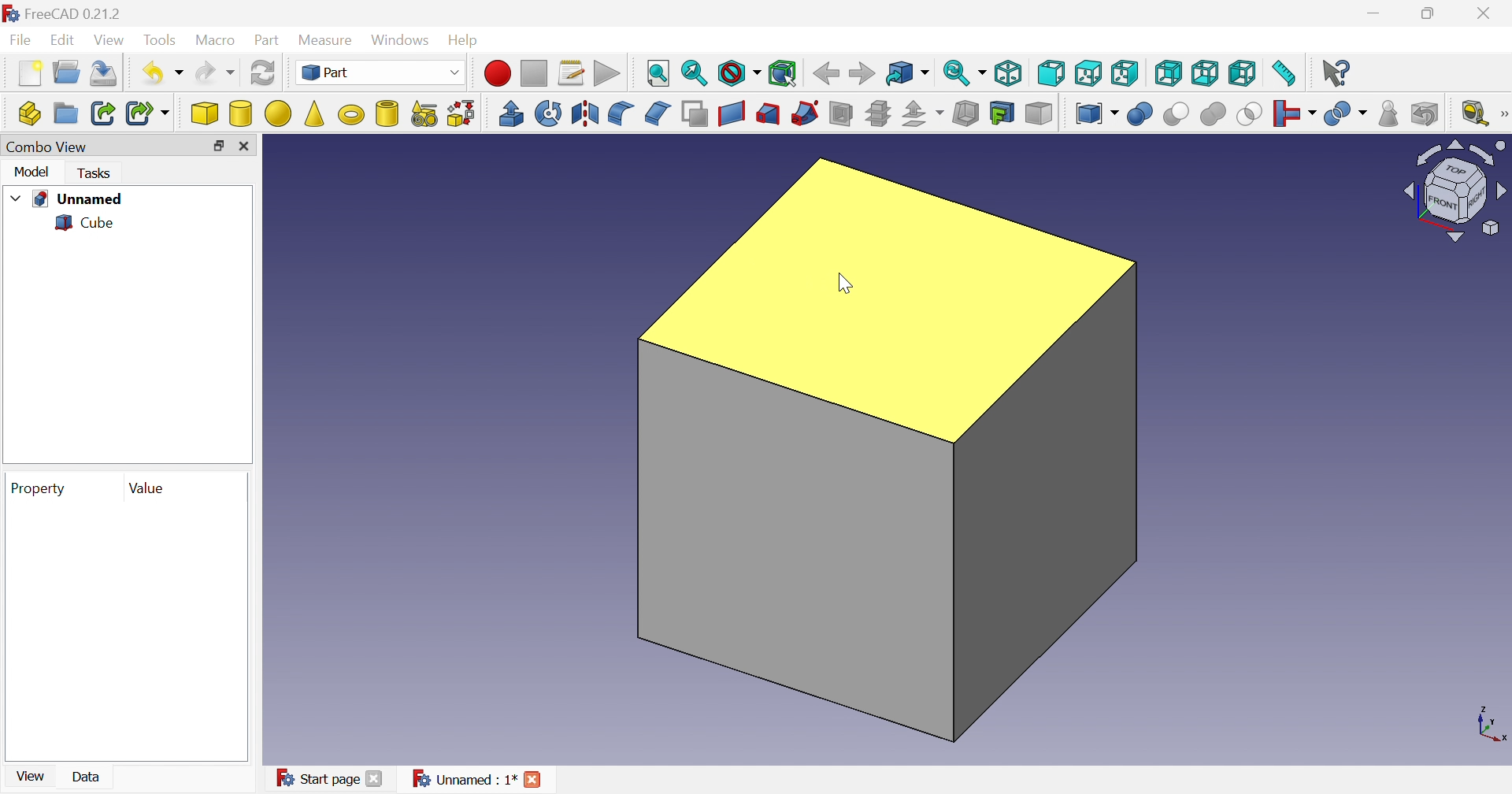 The image size is (1512, 794). What do you see at coordinates (533, 780) in the screenshot?
I see `Close` at bounding box center [533, 780].